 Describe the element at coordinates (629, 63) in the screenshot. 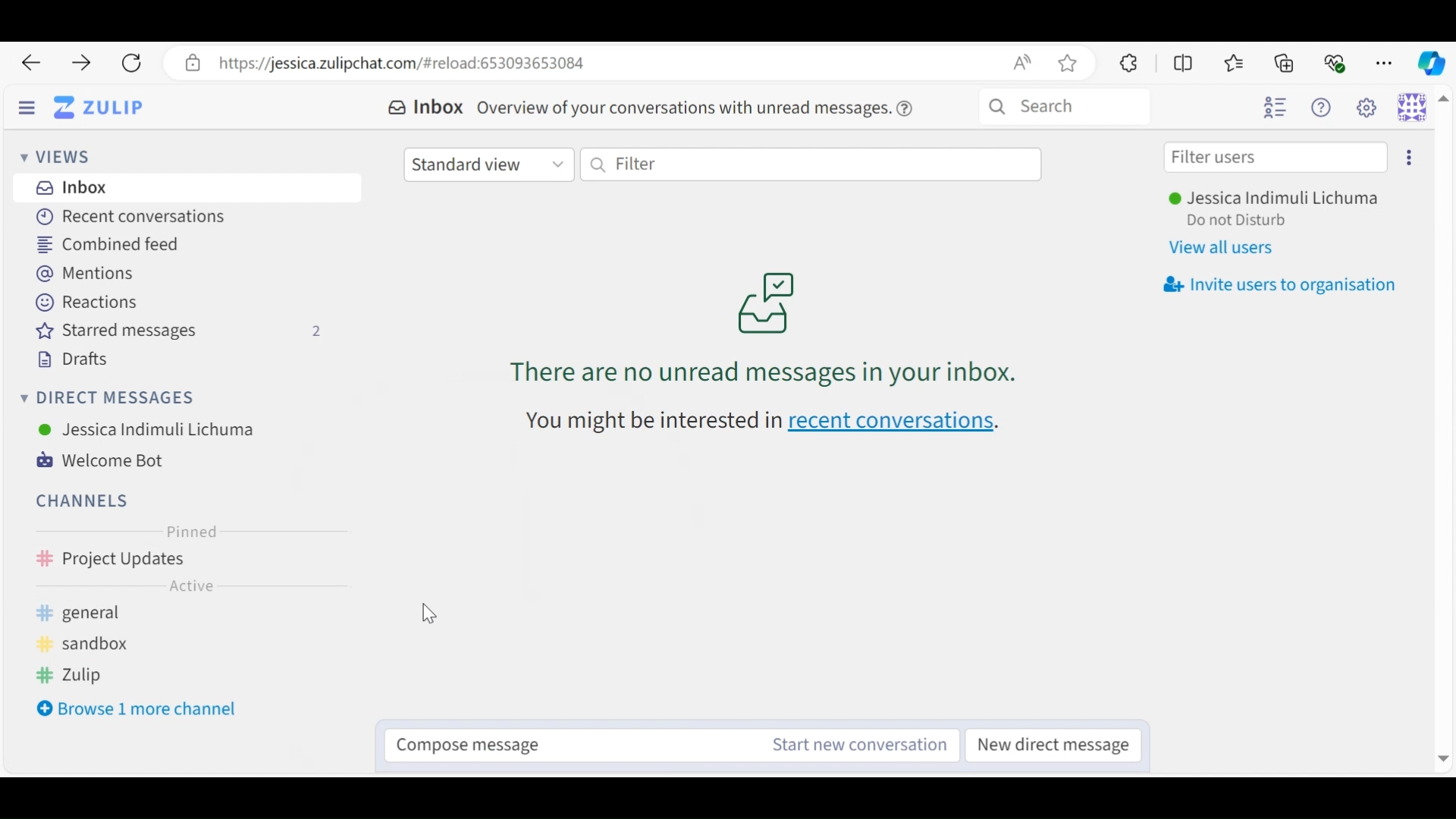

I see `Address bar` at that location.